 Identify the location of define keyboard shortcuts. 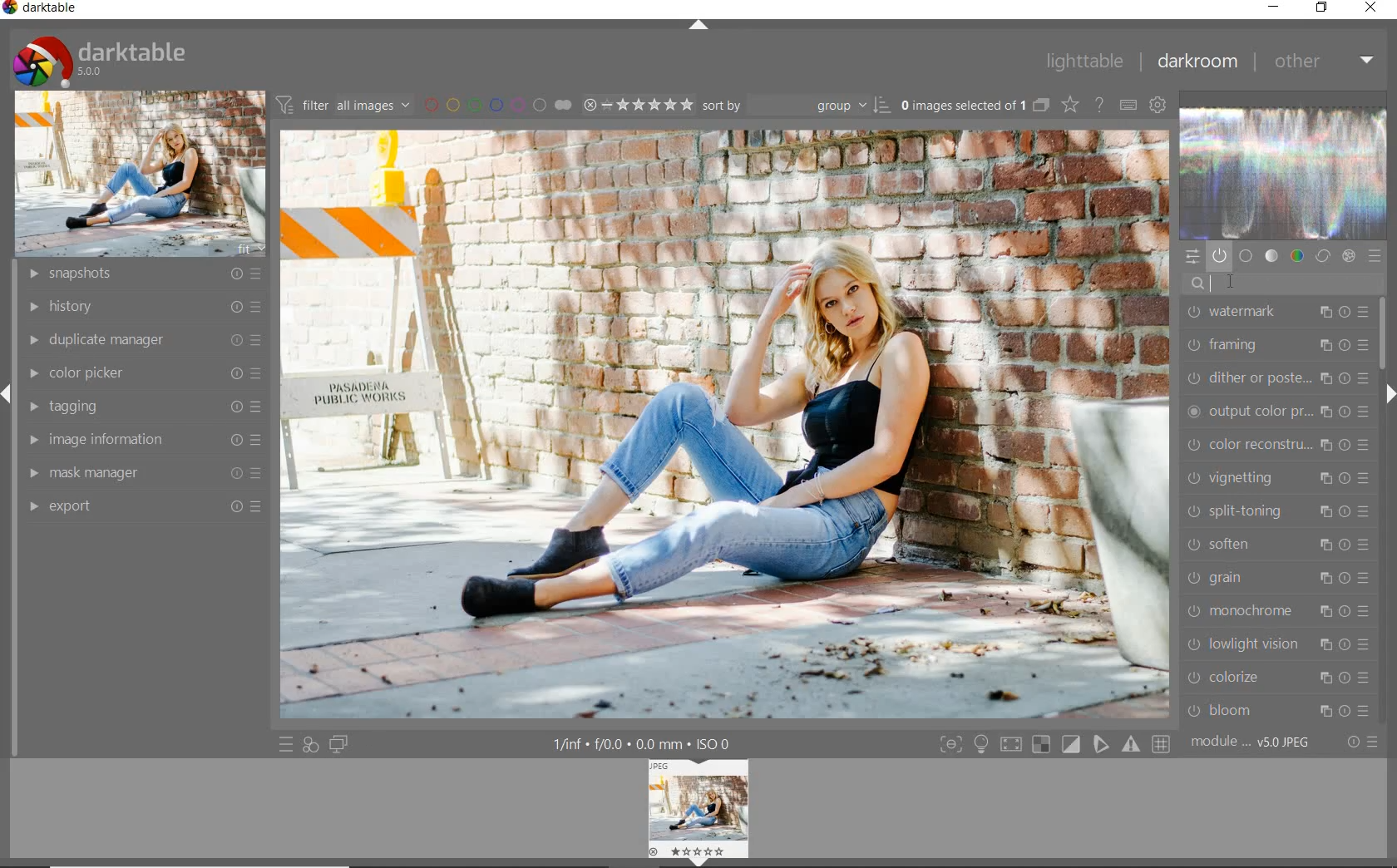
(1127, 104).